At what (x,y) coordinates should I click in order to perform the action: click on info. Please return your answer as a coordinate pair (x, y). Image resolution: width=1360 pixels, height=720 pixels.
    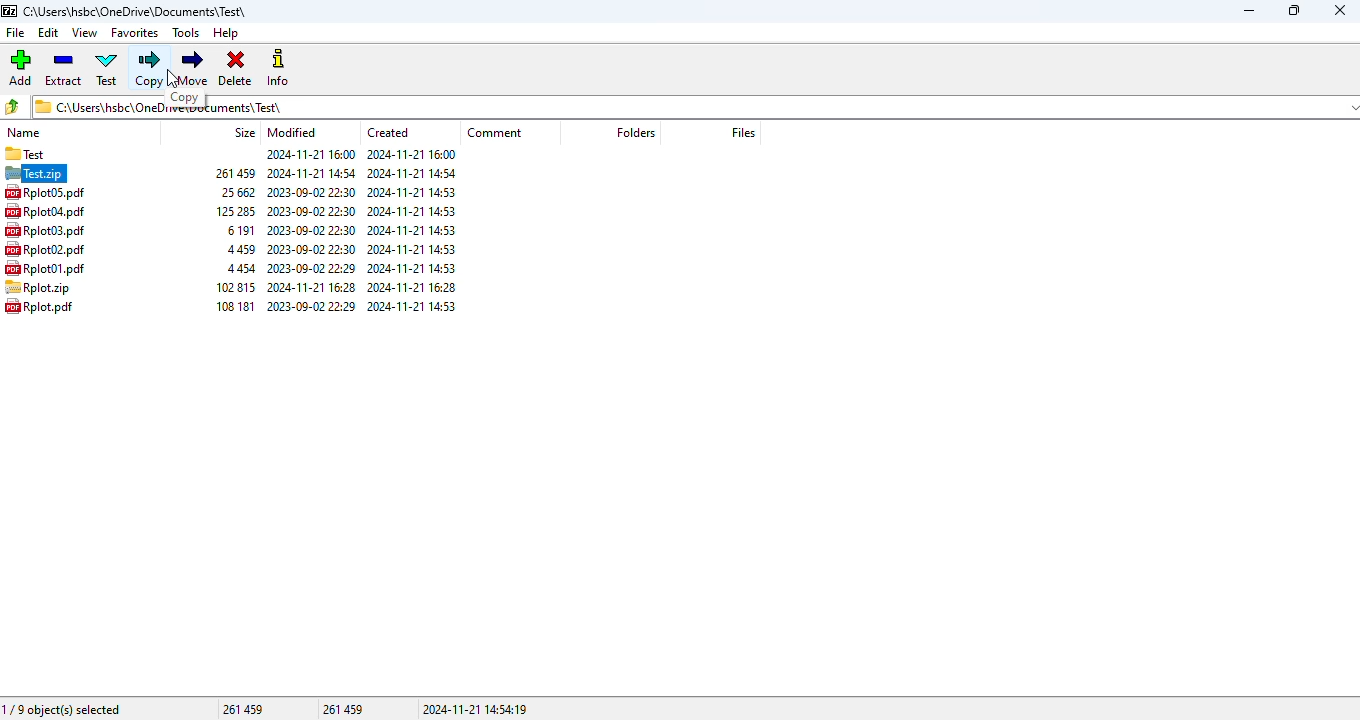
    Looking at the image, I should click on (279, 67).